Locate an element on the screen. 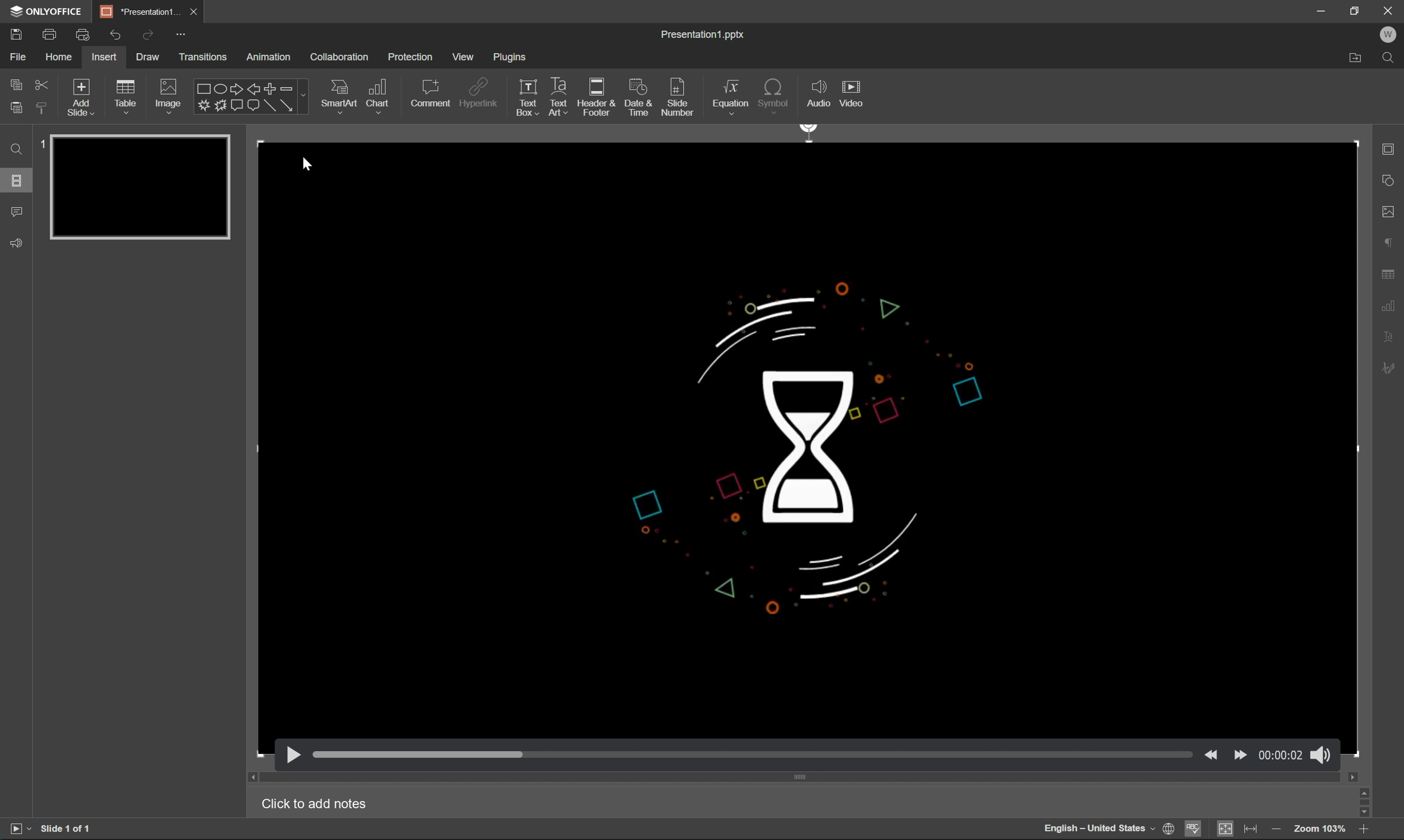 This screenshot has width=1404, height=840. animation is located at coordinates (271, 57).